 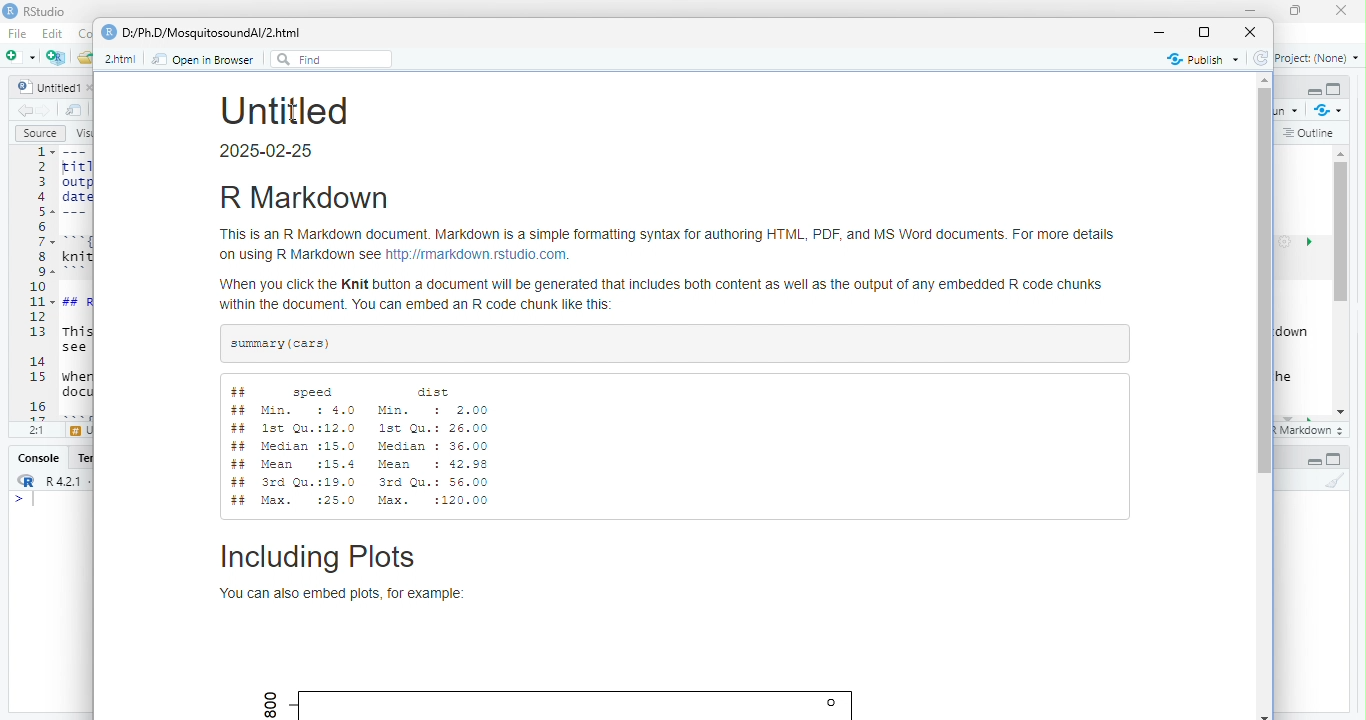 What do you see at coordinates (1314, 92) in the screenshot?
I see `Collapse` at bounding box center [1314, 92].